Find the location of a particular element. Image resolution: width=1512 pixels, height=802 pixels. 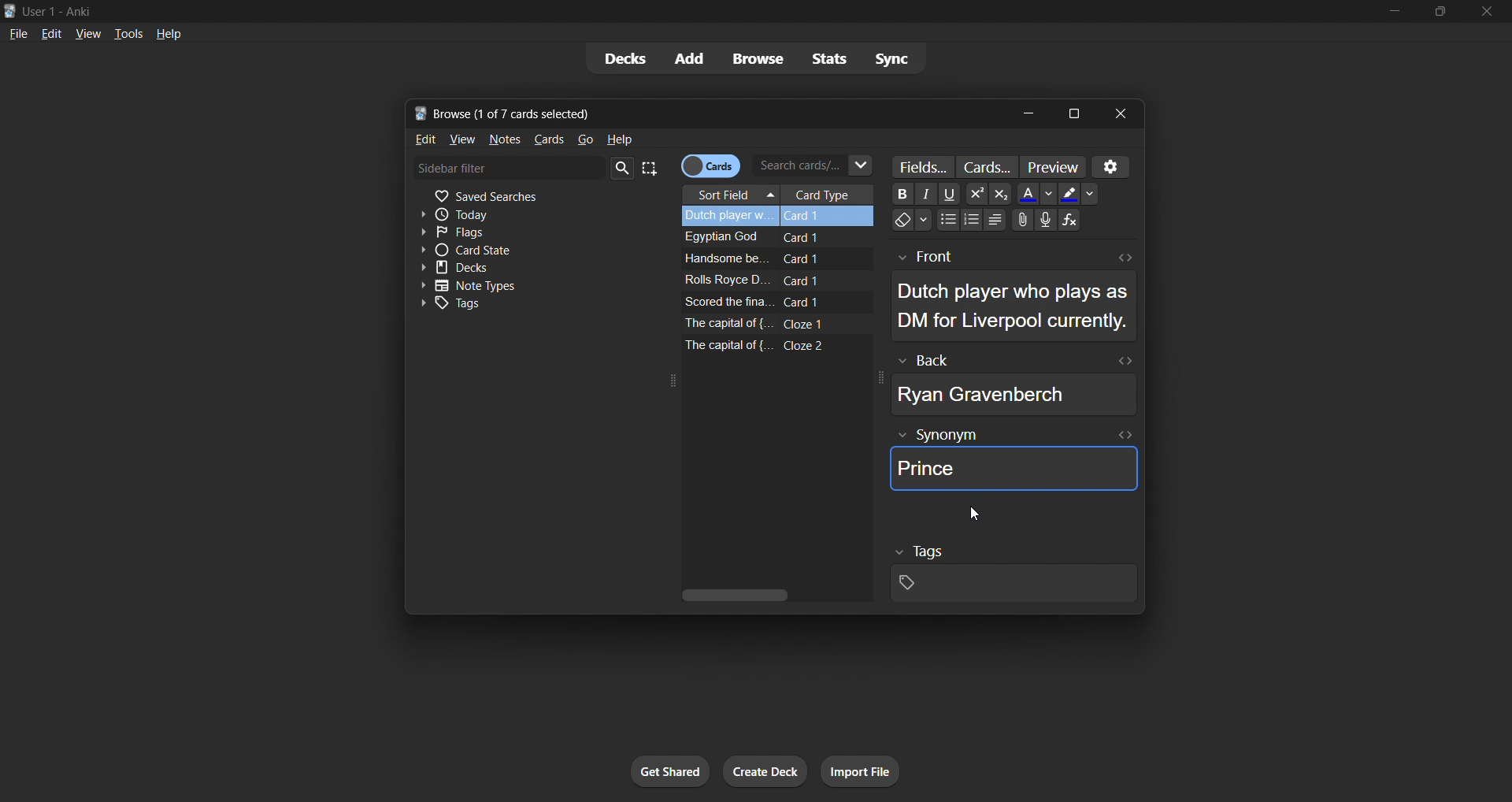

sidebar filter is located at coordinates (521, 170).